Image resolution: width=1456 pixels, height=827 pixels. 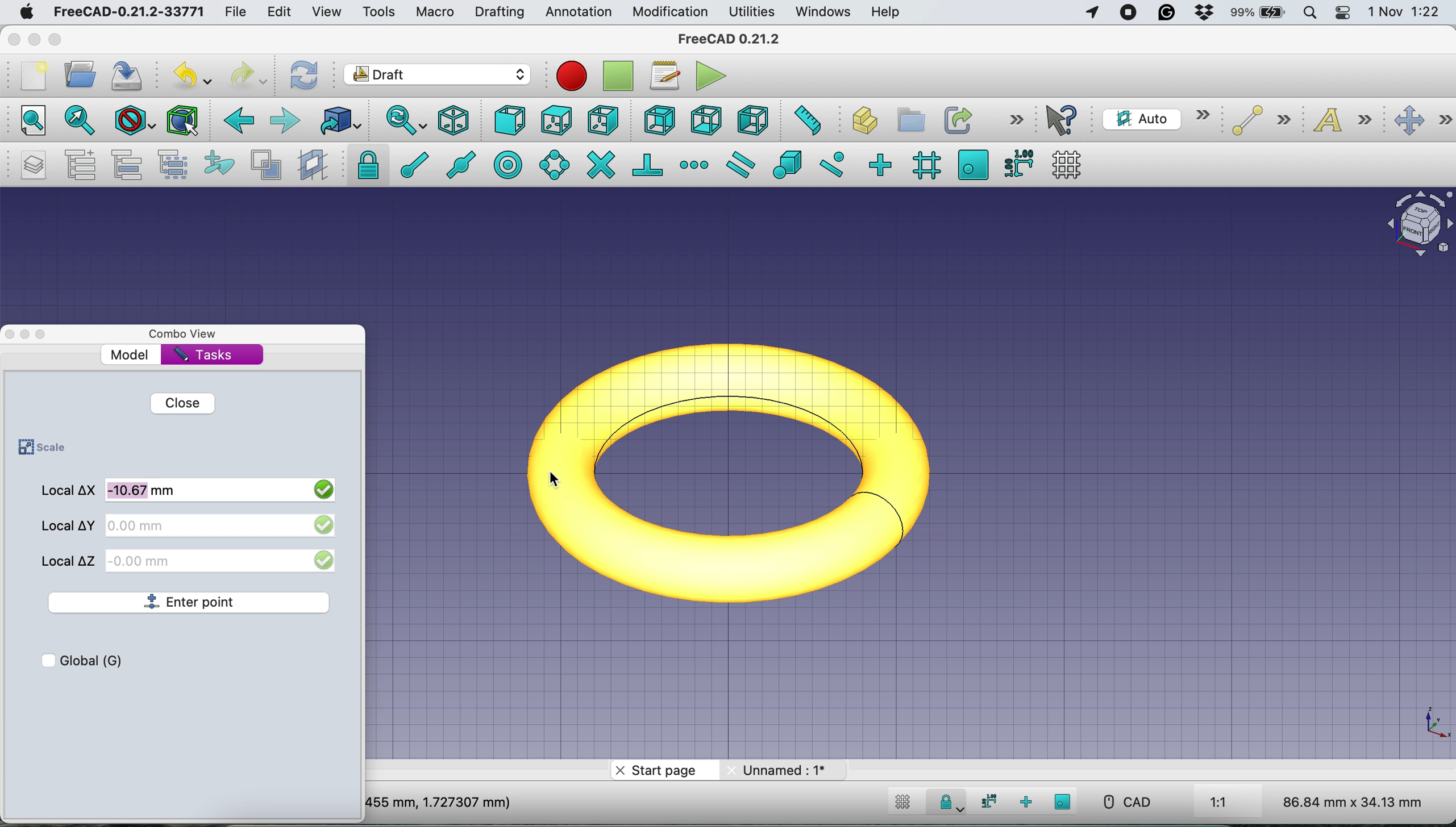 What do you see at coordinates (248, 76) in the screenshot?
I see `redo` at bounding box center [248, 76].